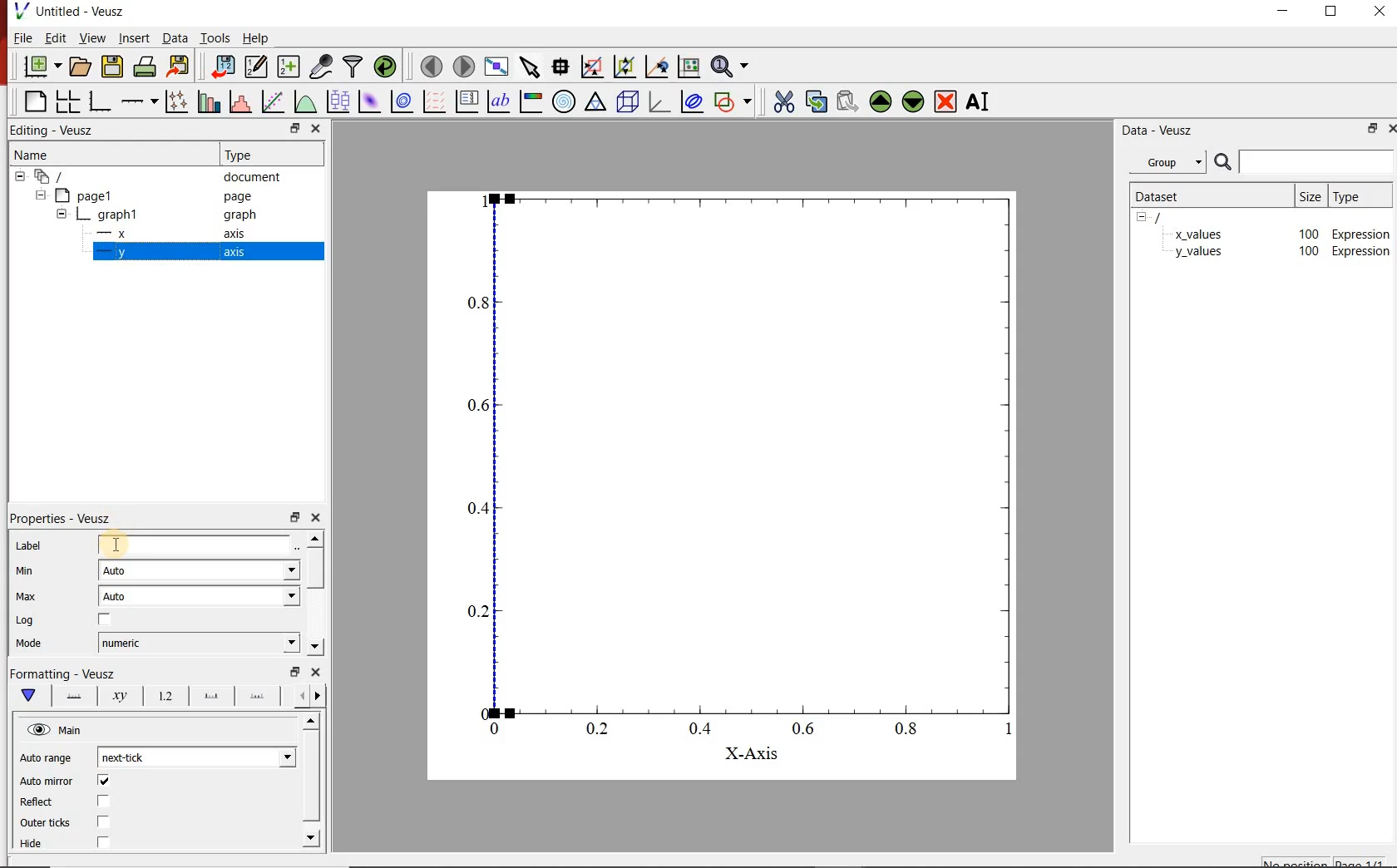  Describe the element at coordinates (1362, 232) in the screenshot. I see `Expression` at that location.